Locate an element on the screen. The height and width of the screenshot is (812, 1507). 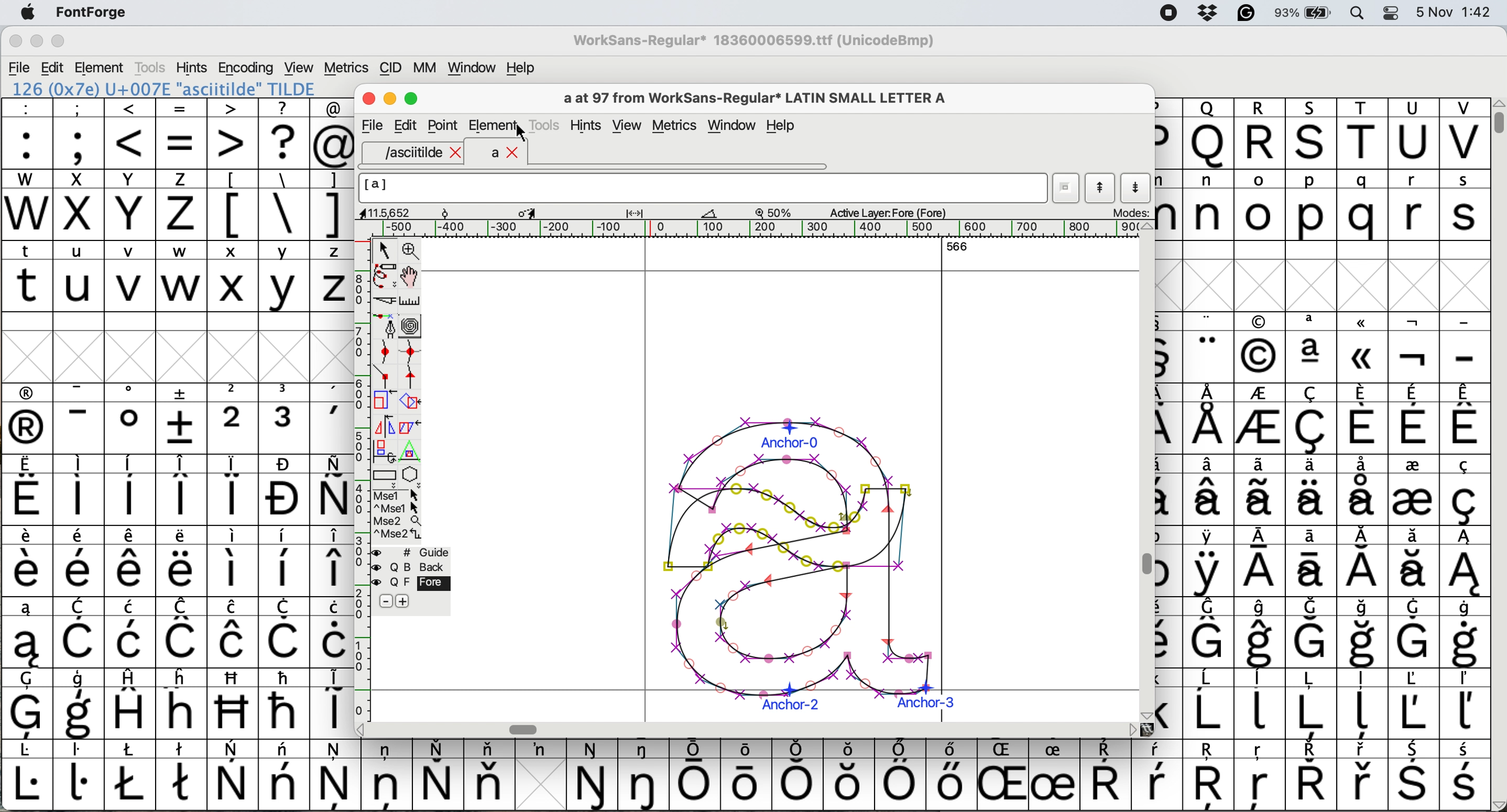
symbol is located at coordinates (1209, 348).